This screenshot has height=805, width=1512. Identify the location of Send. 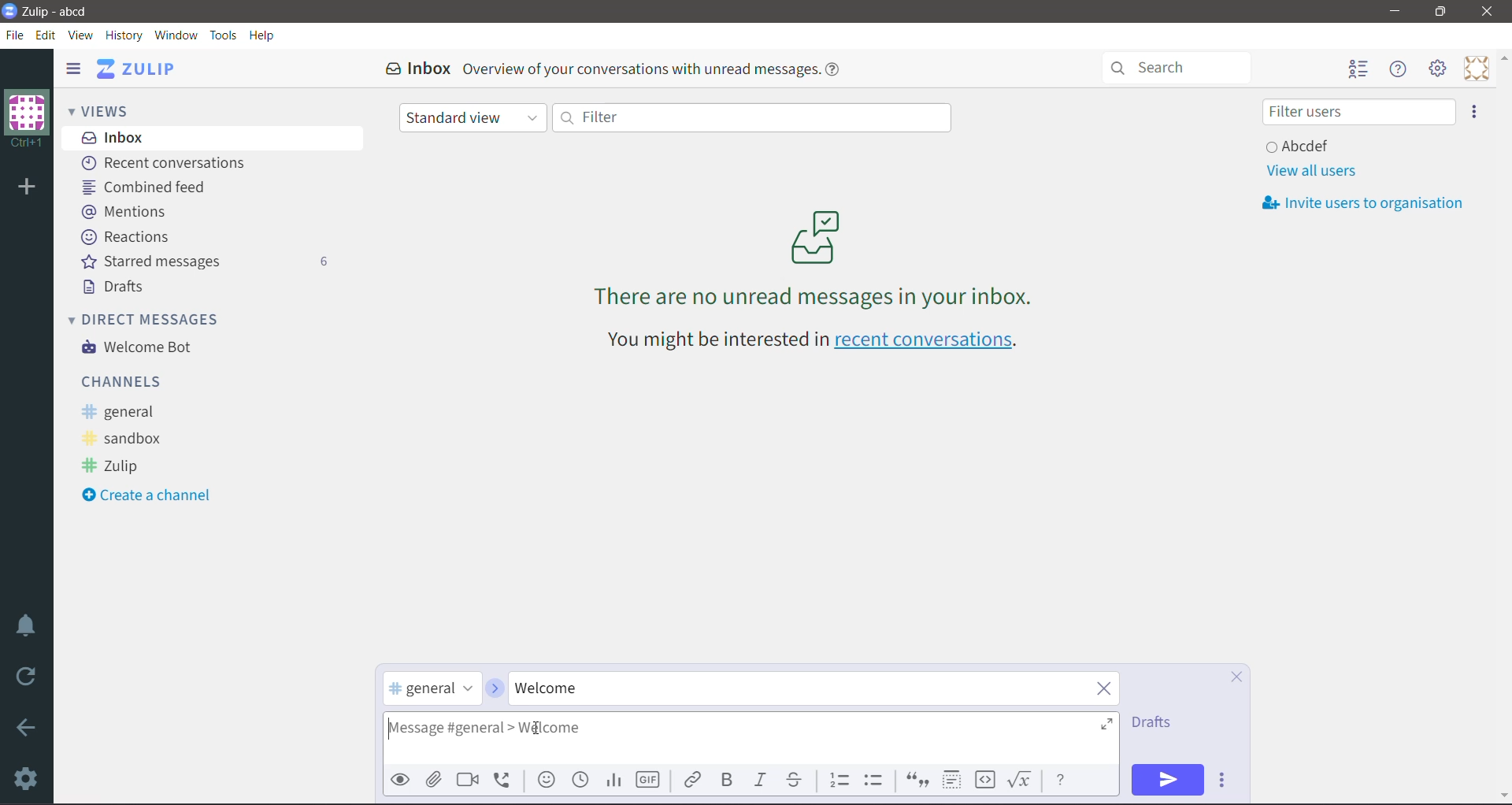
(1168, 780).